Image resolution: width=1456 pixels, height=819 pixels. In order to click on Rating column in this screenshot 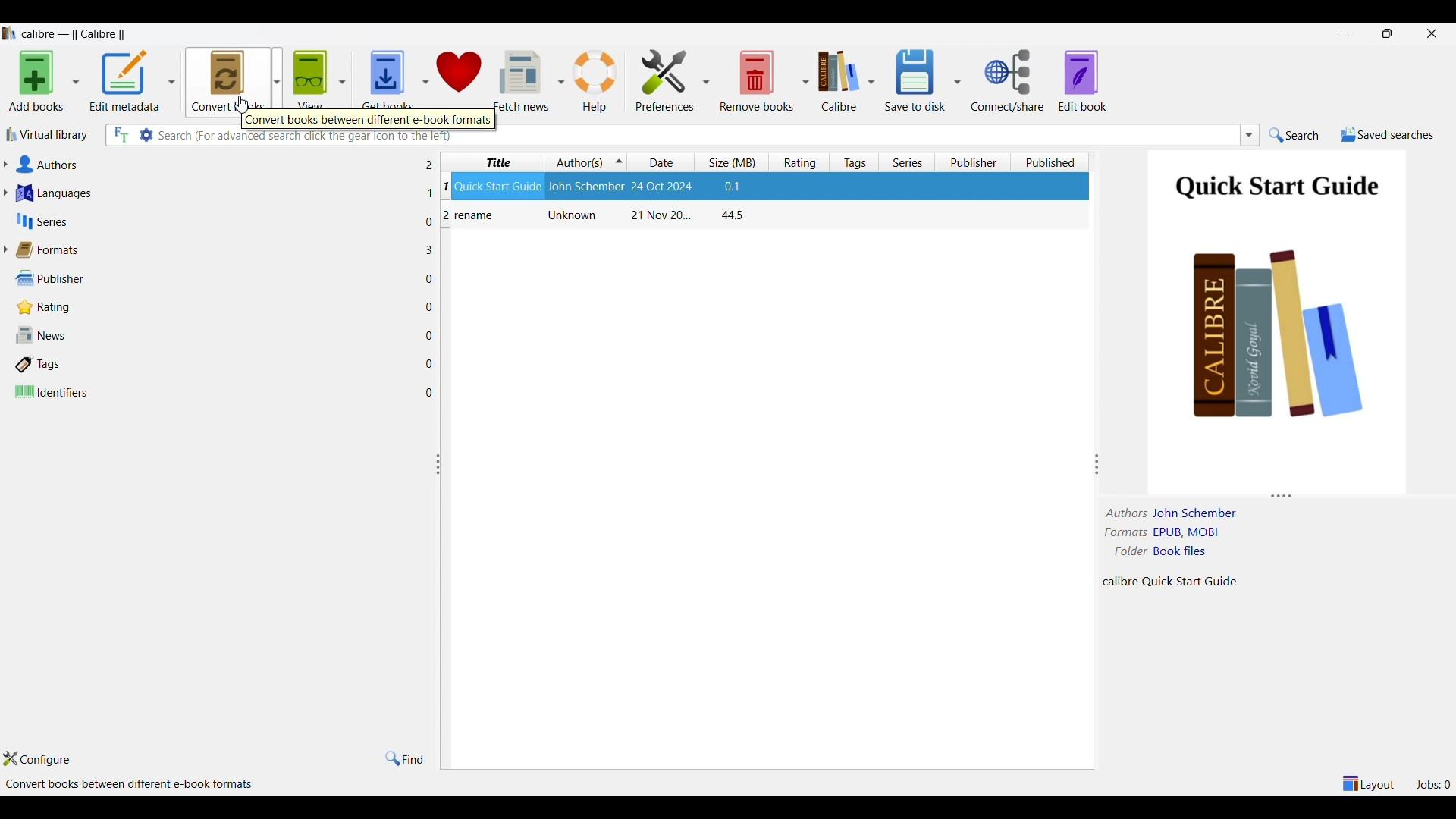, I will do `click(798, 162)`.